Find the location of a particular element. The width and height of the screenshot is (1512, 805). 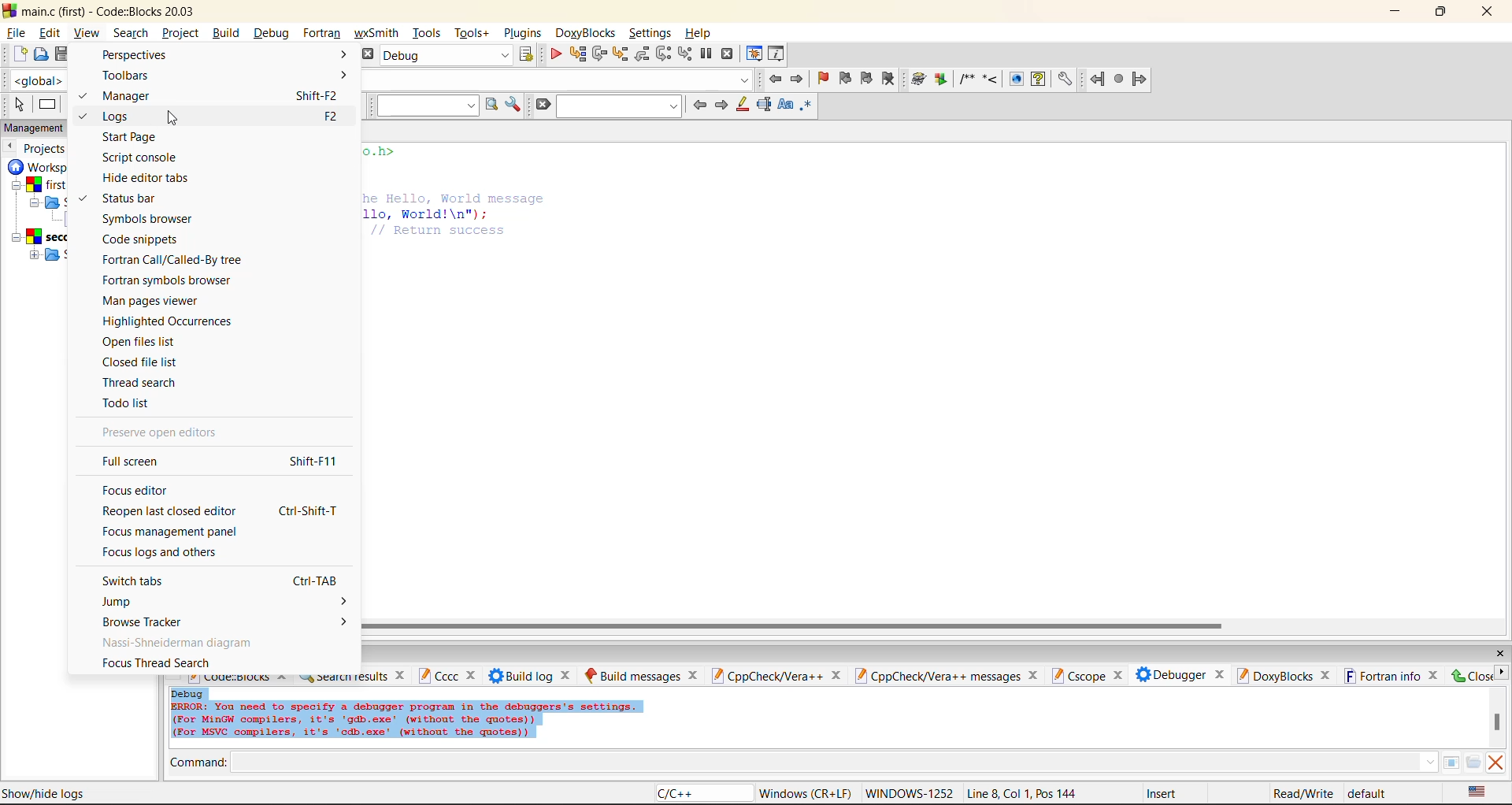

break debugger is located at coordinates (706, 54).